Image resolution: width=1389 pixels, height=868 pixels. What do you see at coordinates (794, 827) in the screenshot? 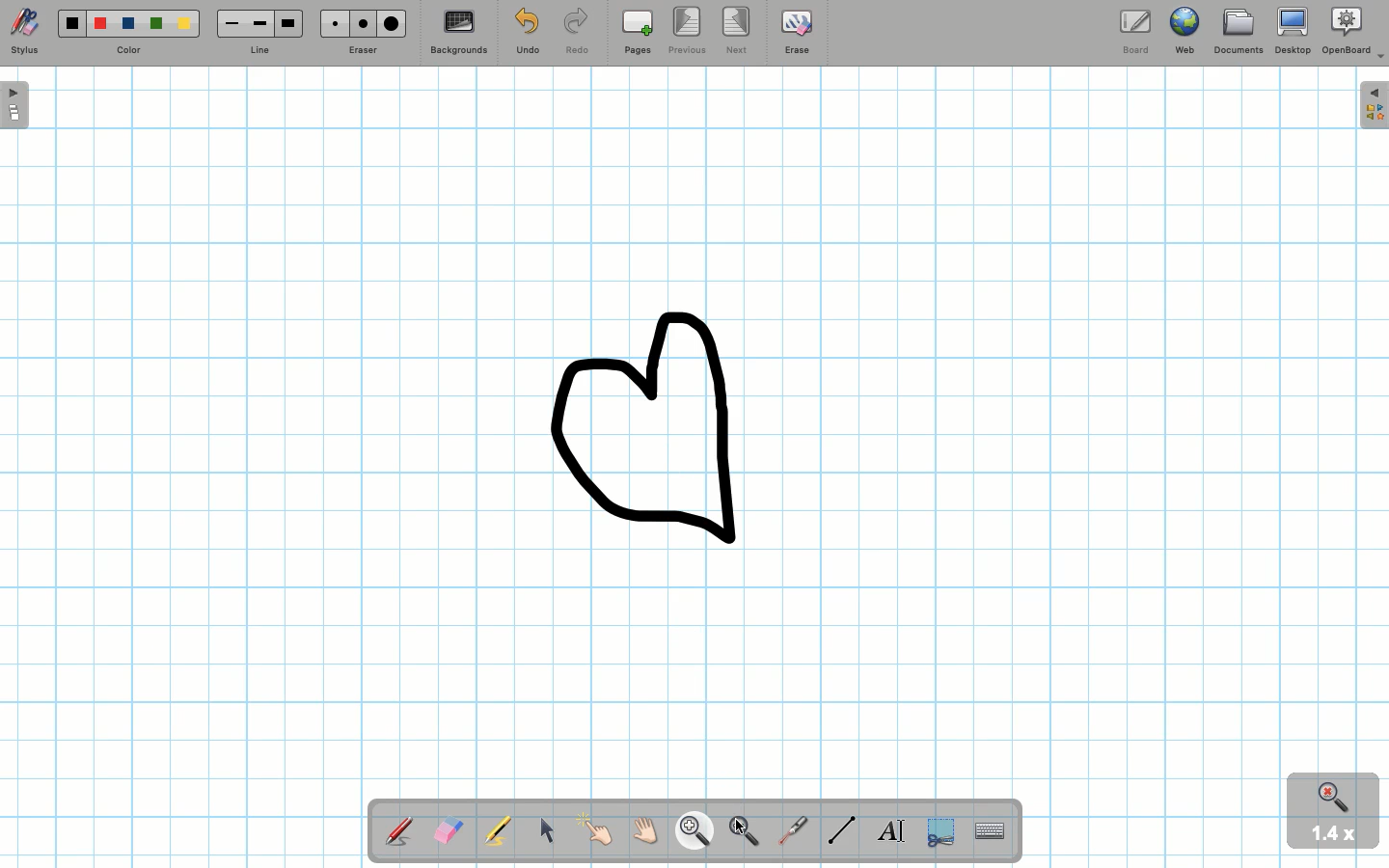
I see `Laser pointer` at bounding box center [794, 827].